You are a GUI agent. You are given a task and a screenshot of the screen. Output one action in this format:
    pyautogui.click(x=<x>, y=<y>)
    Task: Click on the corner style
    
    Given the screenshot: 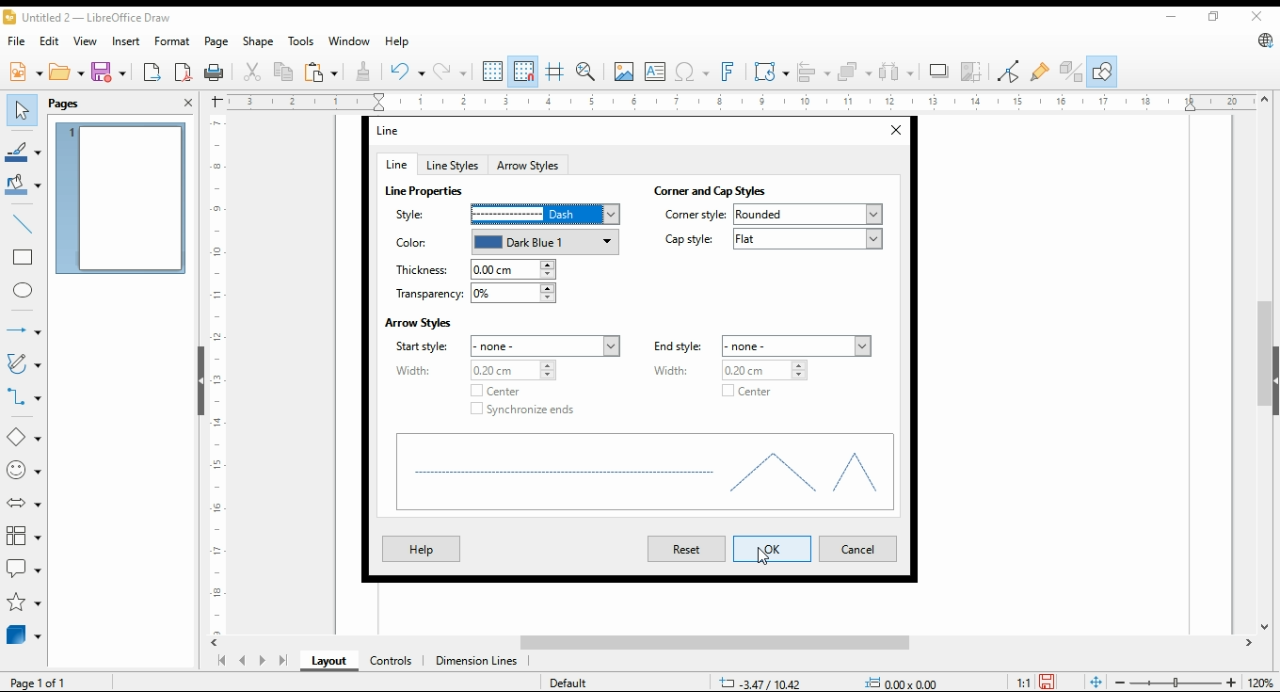 What is the action you would take?
    pyautogui.click(x=773, y=214)
    